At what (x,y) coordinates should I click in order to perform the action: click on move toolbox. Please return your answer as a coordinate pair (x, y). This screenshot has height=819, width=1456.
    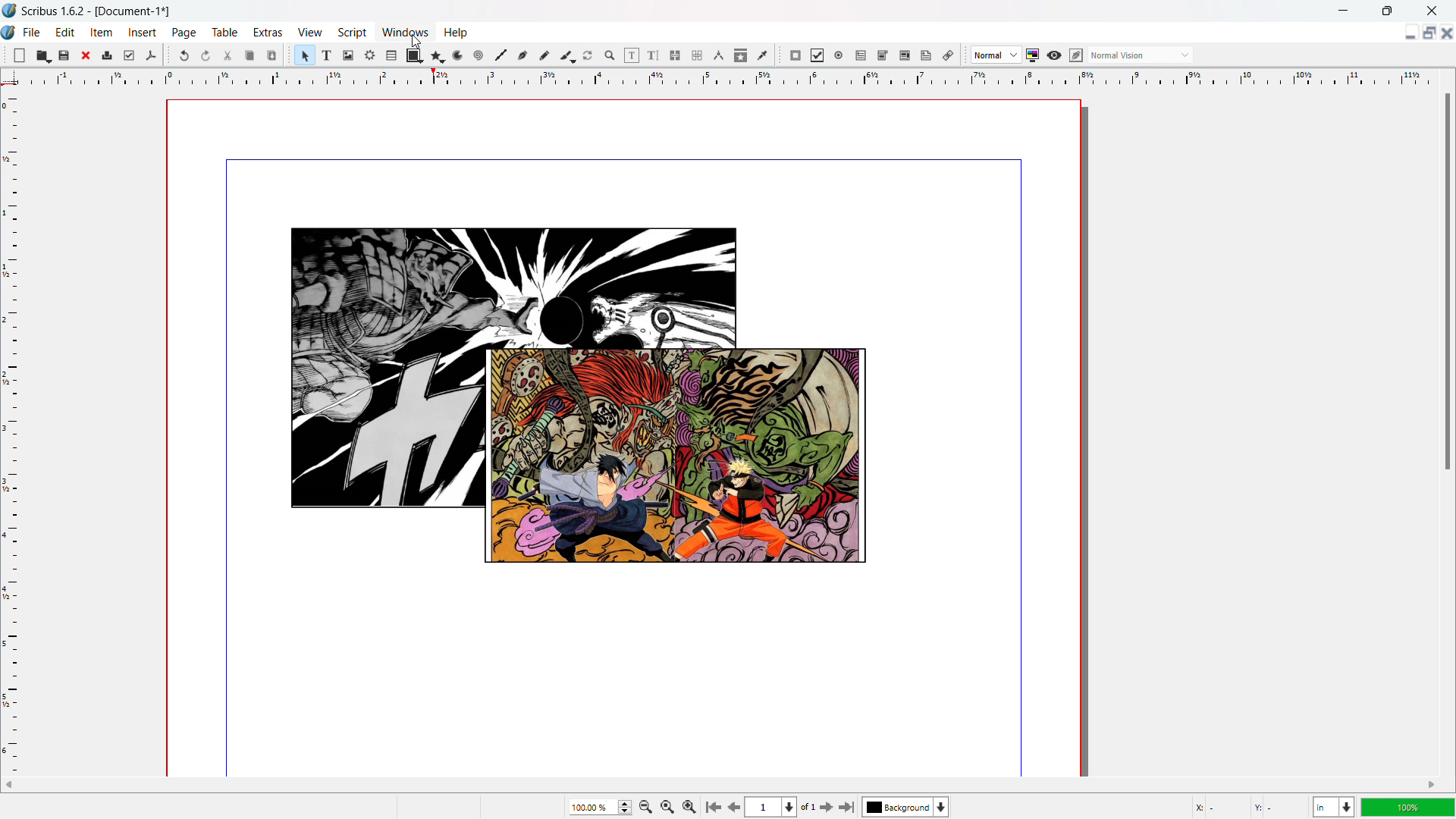
    Looking at the image, I should click on (780, 55).